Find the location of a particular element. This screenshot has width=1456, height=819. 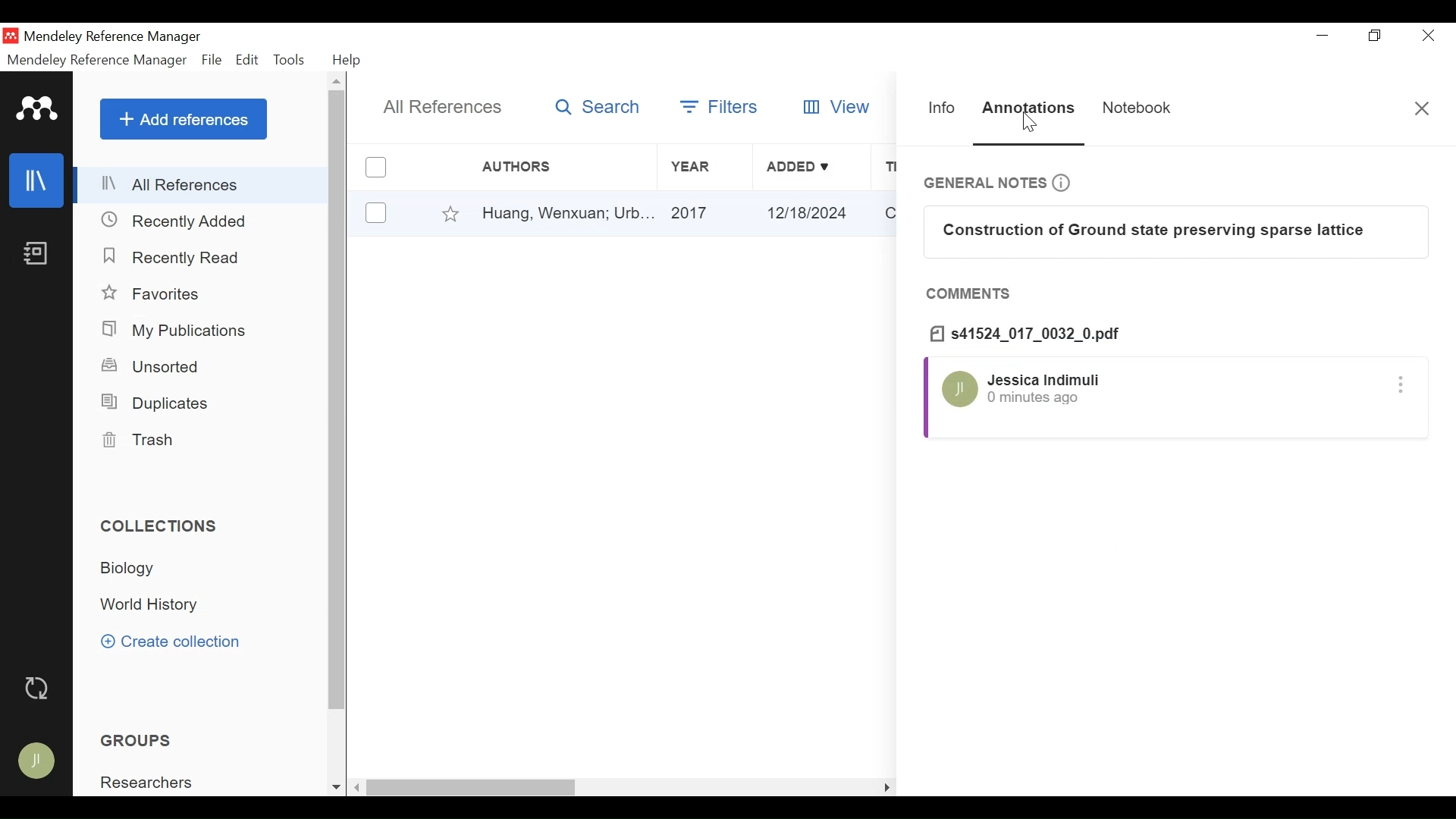

Scroll Left is located at coordinates (356, 788).